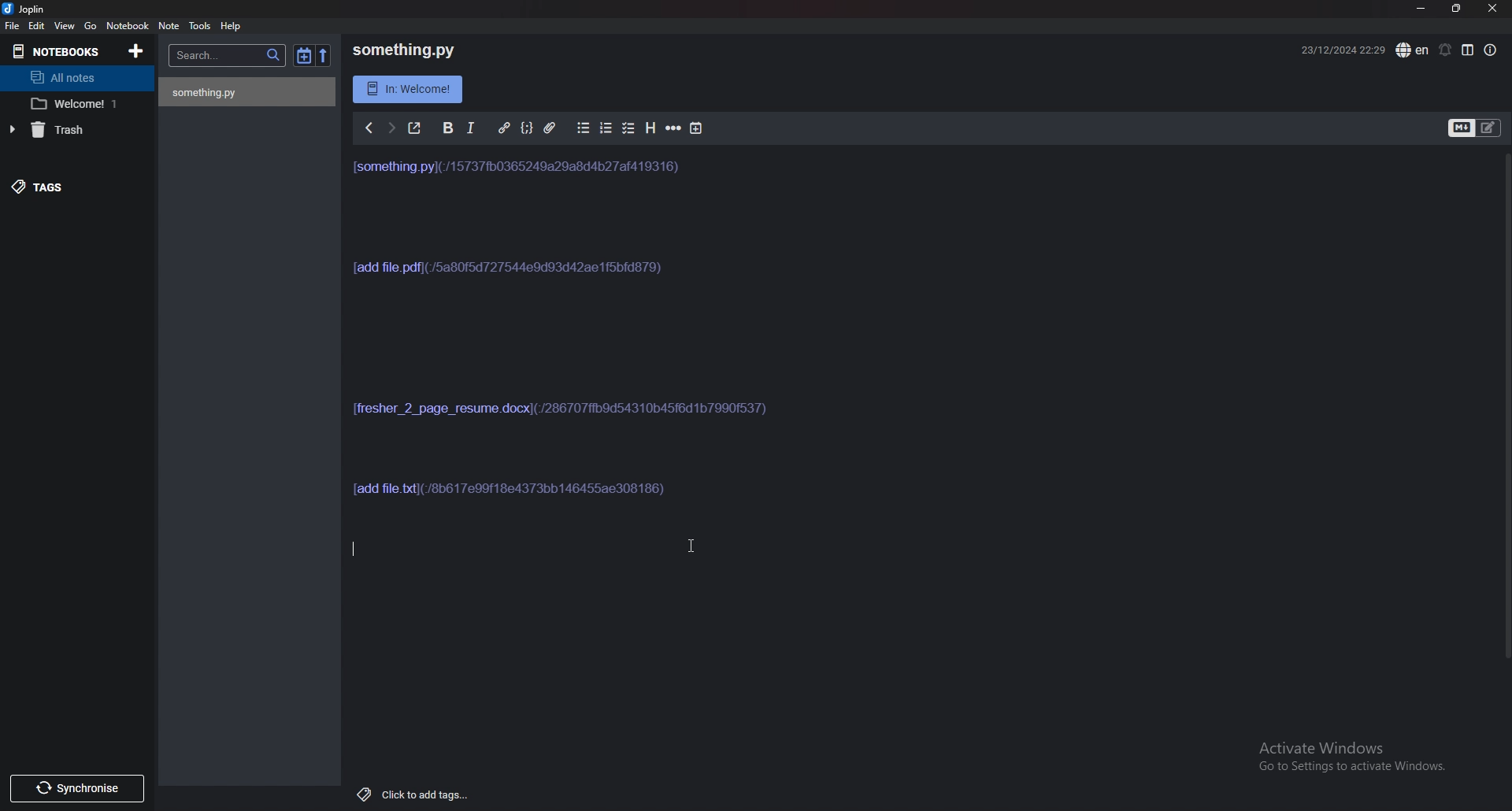 The image size is (1512, 811). What do you see at coordinates (72, 185) in the screenshot?
I see `Tags` at bounding box center [72, 185].